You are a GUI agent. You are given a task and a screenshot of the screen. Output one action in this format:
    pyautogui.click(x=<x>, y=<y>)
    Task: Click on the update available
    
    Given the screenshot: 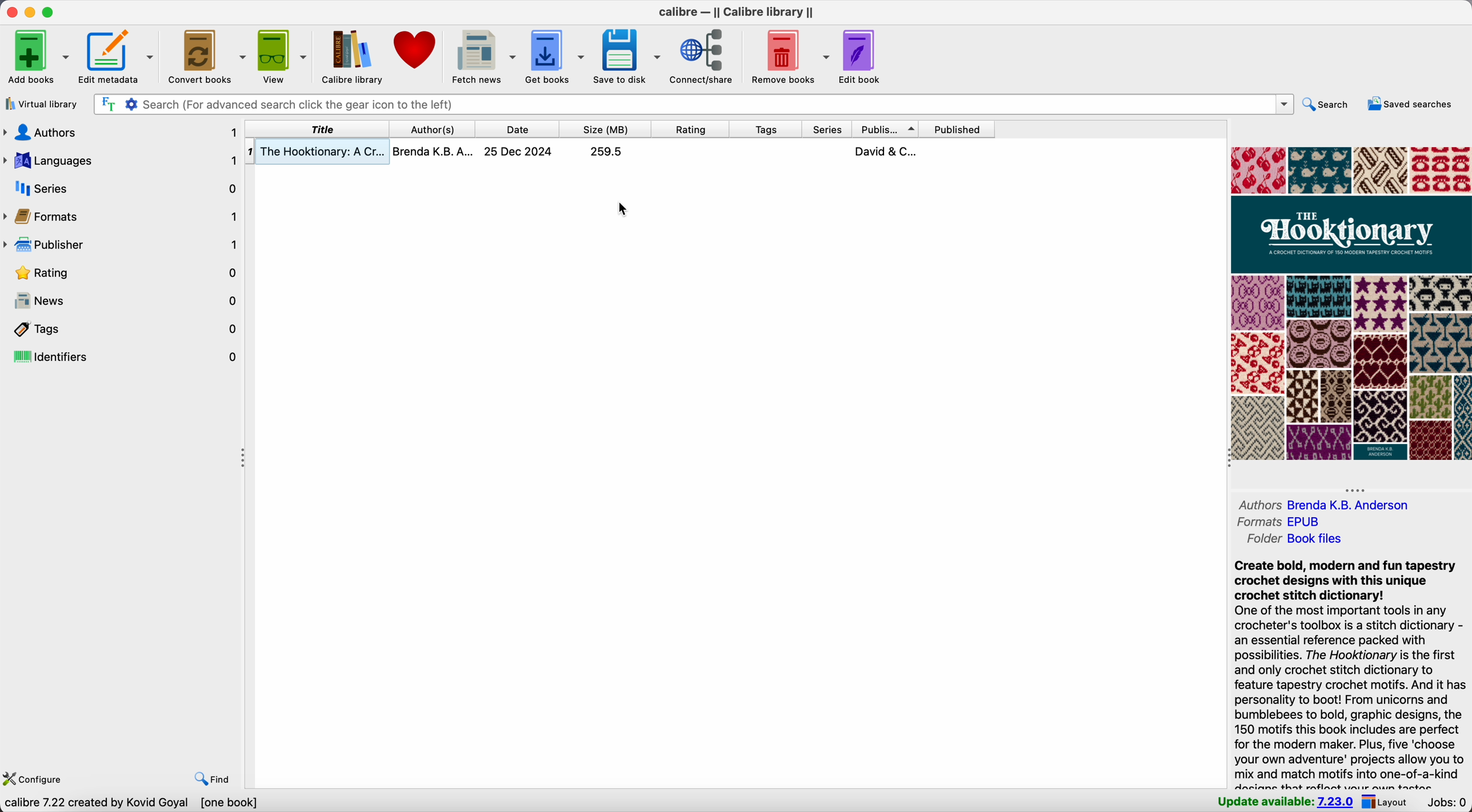 What is the action you would take?
    pyautogui.click(x=1287, y=800)
    